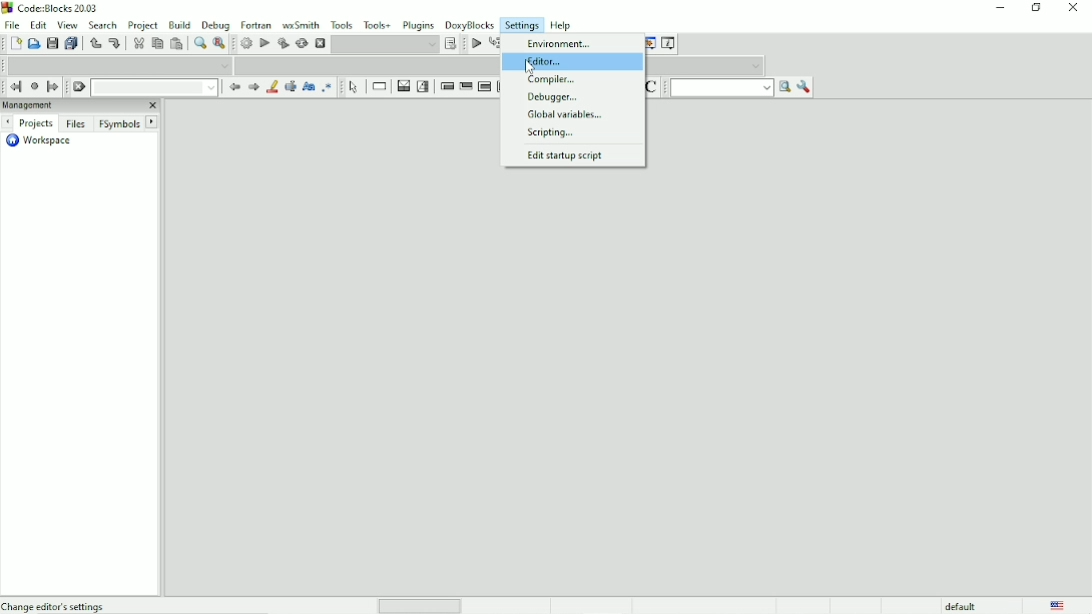 The width and height of the screenshot is (1092, 614). Describe the element at coordinates (14, 87) in the screenshot. I see `Jump back` at that location.